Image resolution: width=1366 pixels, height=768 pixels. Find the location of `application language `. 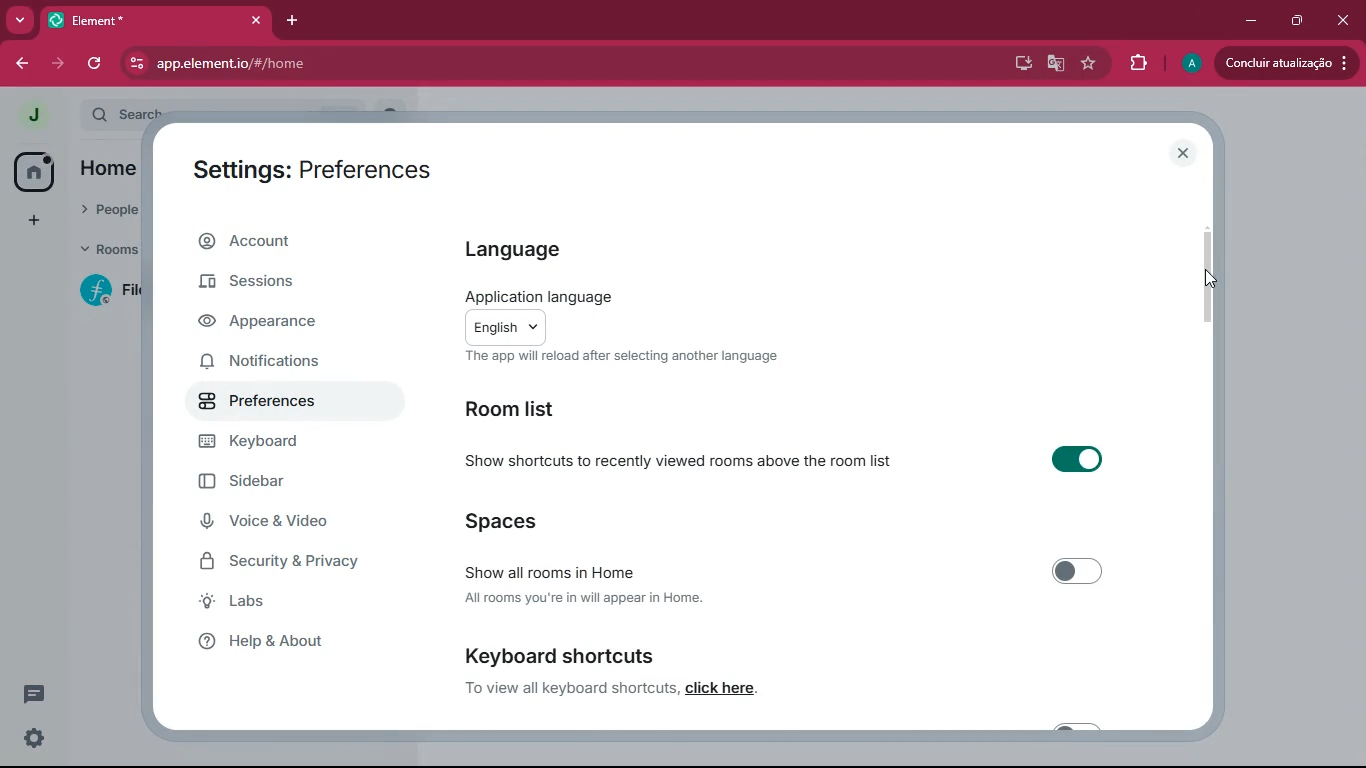

application language  is located at coordinates (537, 293).